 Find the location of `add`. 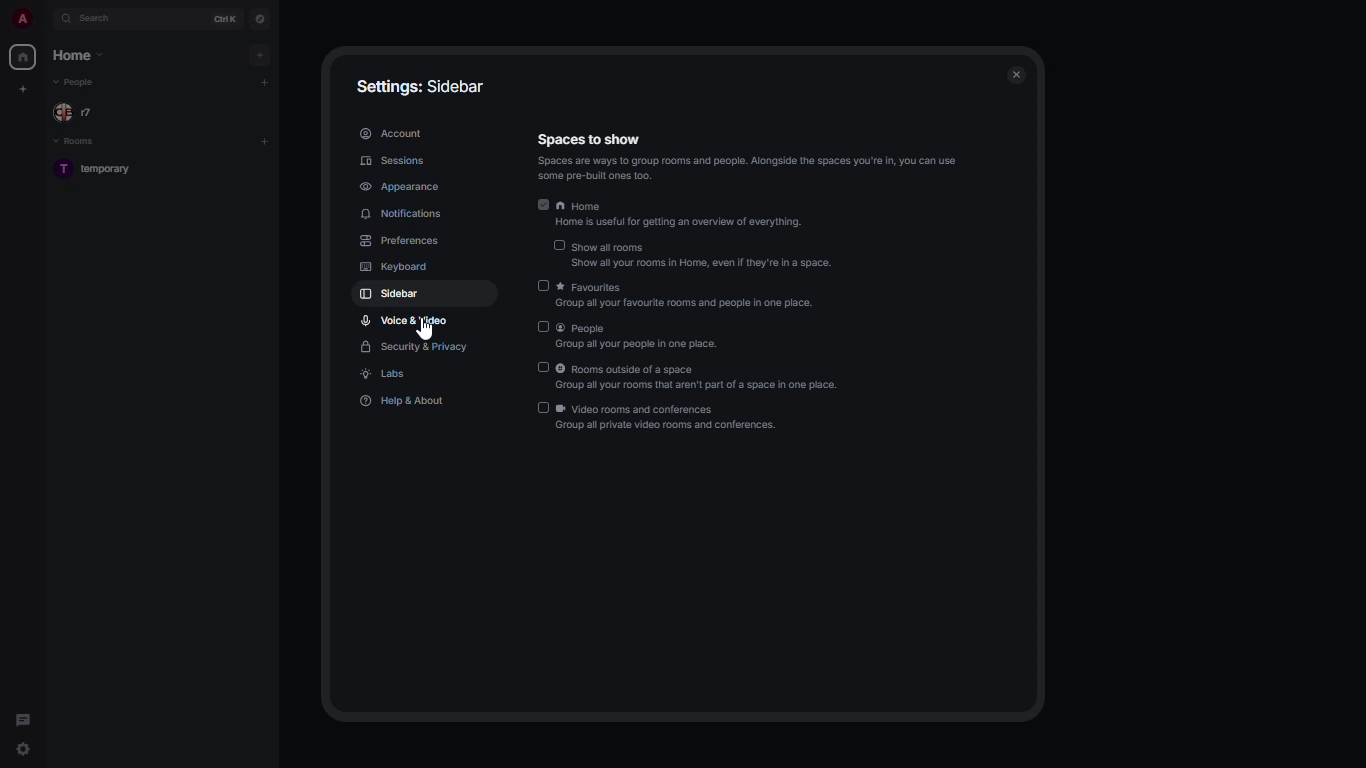

add is located at coordinates (265, 81).